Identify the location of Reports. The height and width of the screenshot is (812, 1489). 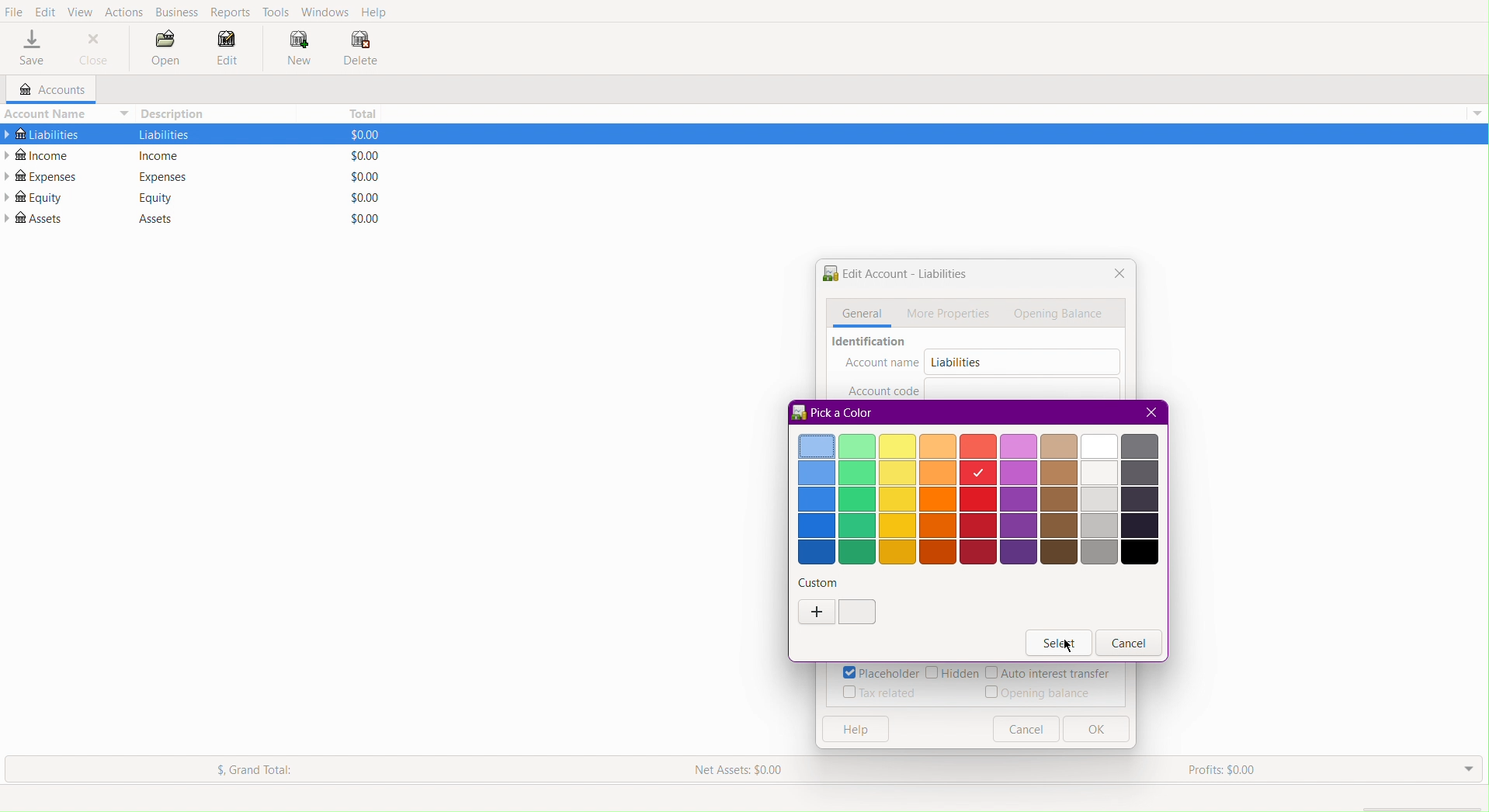
(233, 12).